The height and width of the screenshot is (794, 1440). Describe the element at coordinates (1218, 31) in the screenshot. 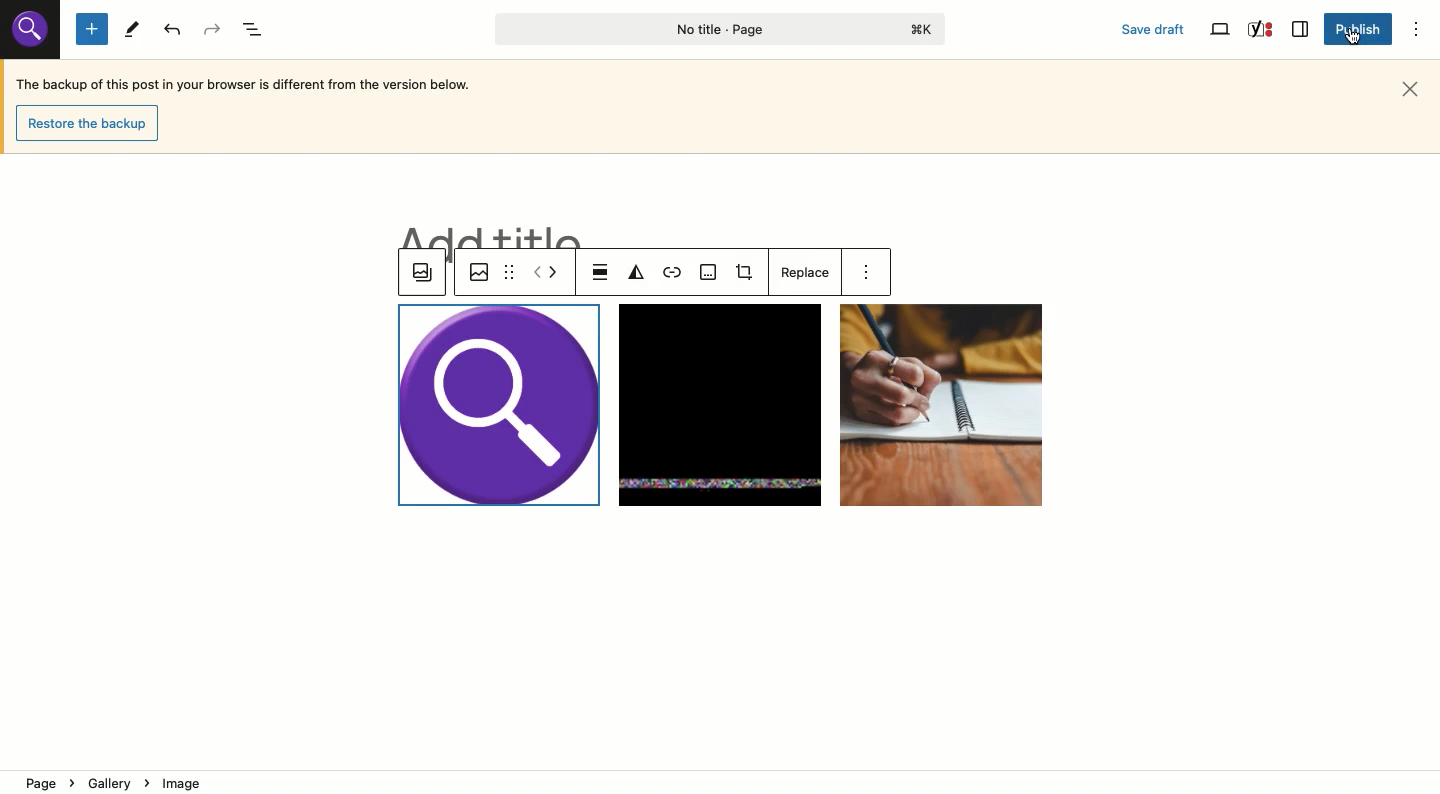

I see `View` at that location.